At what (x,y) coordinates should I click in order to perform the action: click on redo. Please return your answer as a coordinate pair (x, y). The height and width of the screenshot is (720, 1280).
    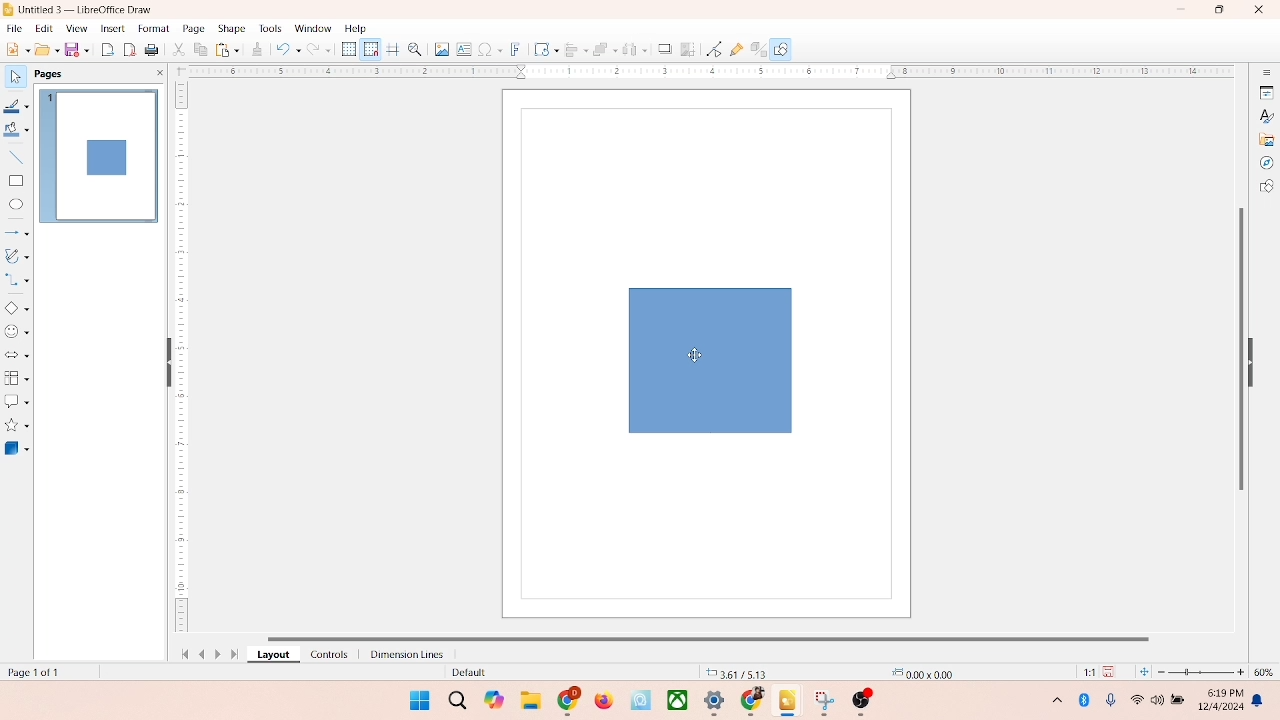
    Looking at the image, I should click on (323, 51).